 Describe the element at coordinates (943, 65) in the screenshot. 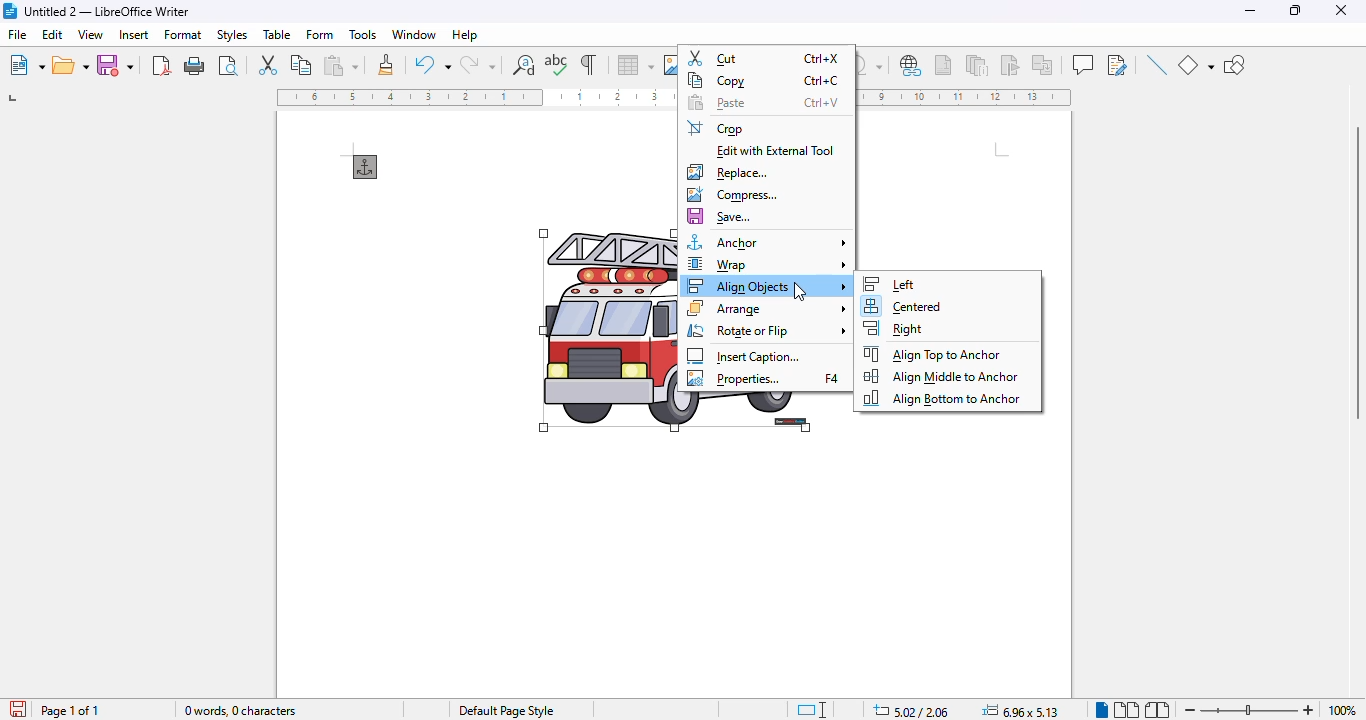

I see `insert footnote` at that location.